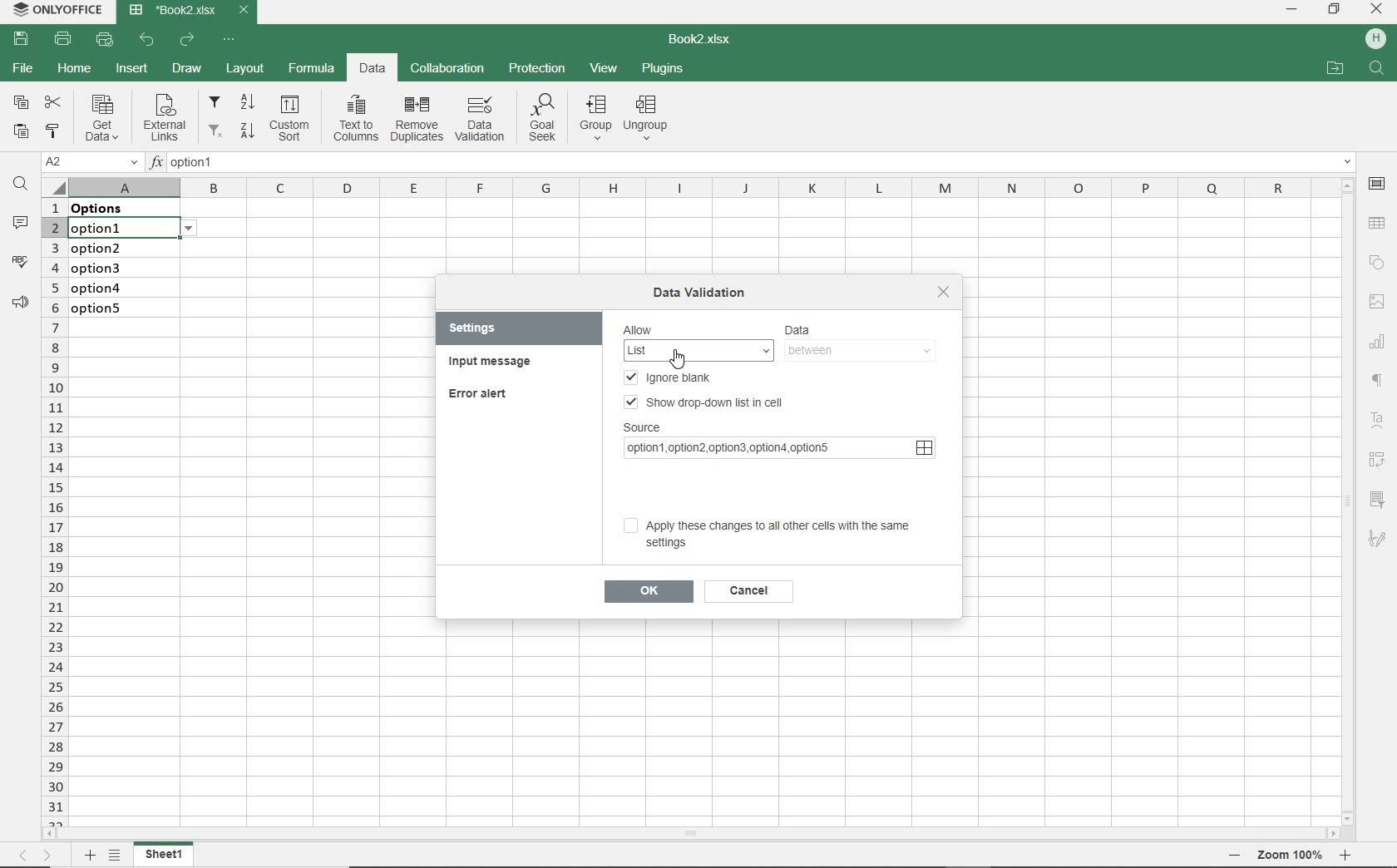  Describe the element at coordinates (679, 359) in the screenshot. I see `Cursor` at that location.